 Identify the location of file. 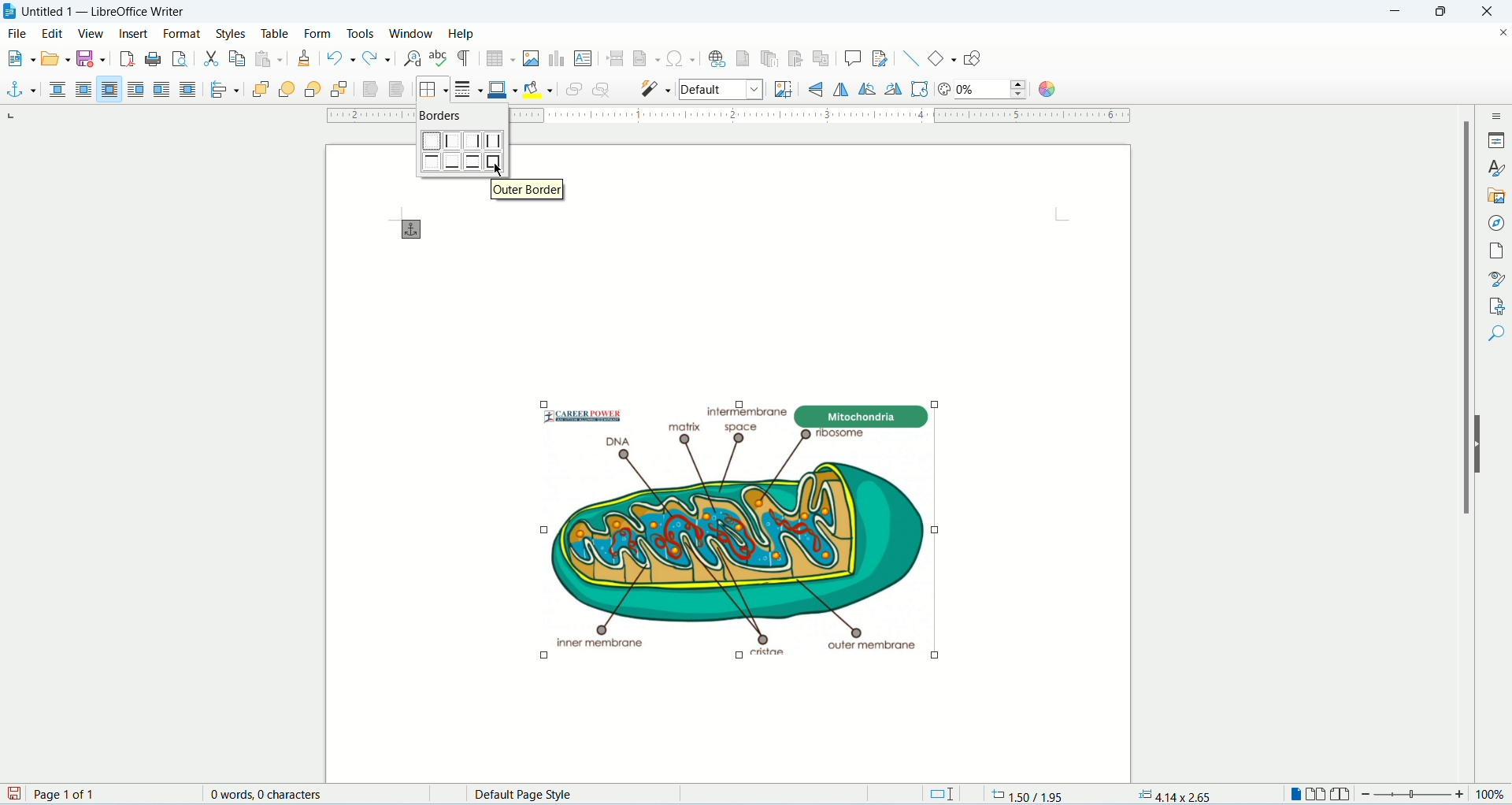
(19, 32).